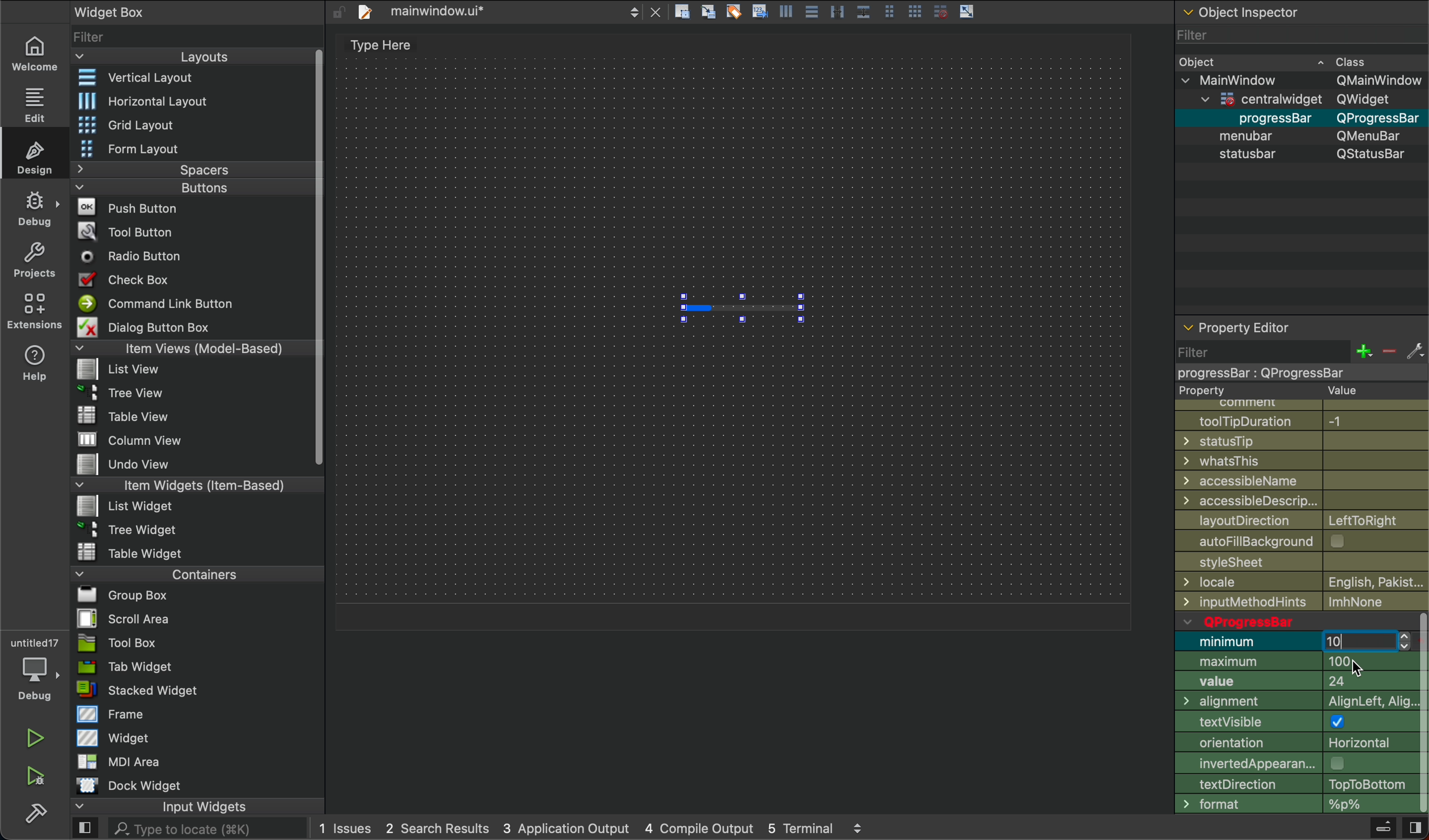 The height and width of the screenshot is (840, 1429). What do you see at coordinates (37, 776) in the screenshot?
I see `run and debug` at bounding box center [37, 776].